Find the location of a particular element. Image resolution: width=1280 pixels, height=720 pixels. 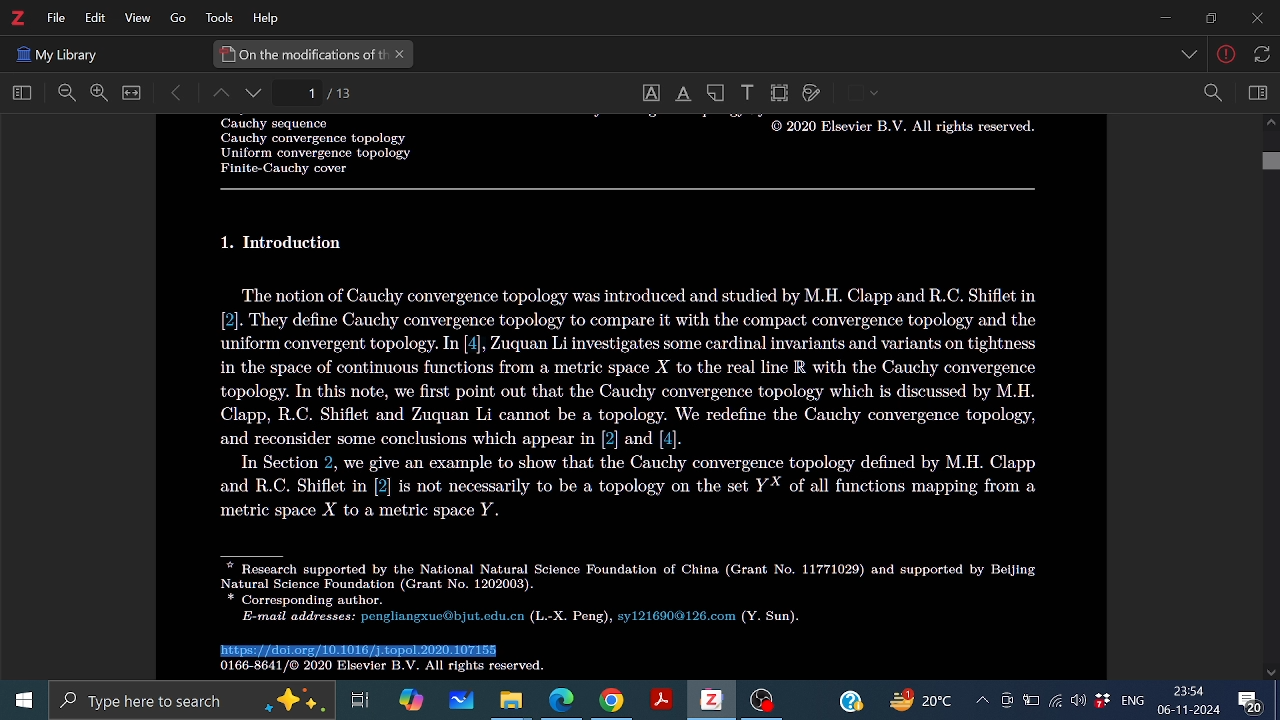

Show hidden icons is located at coordinates (981, 700).